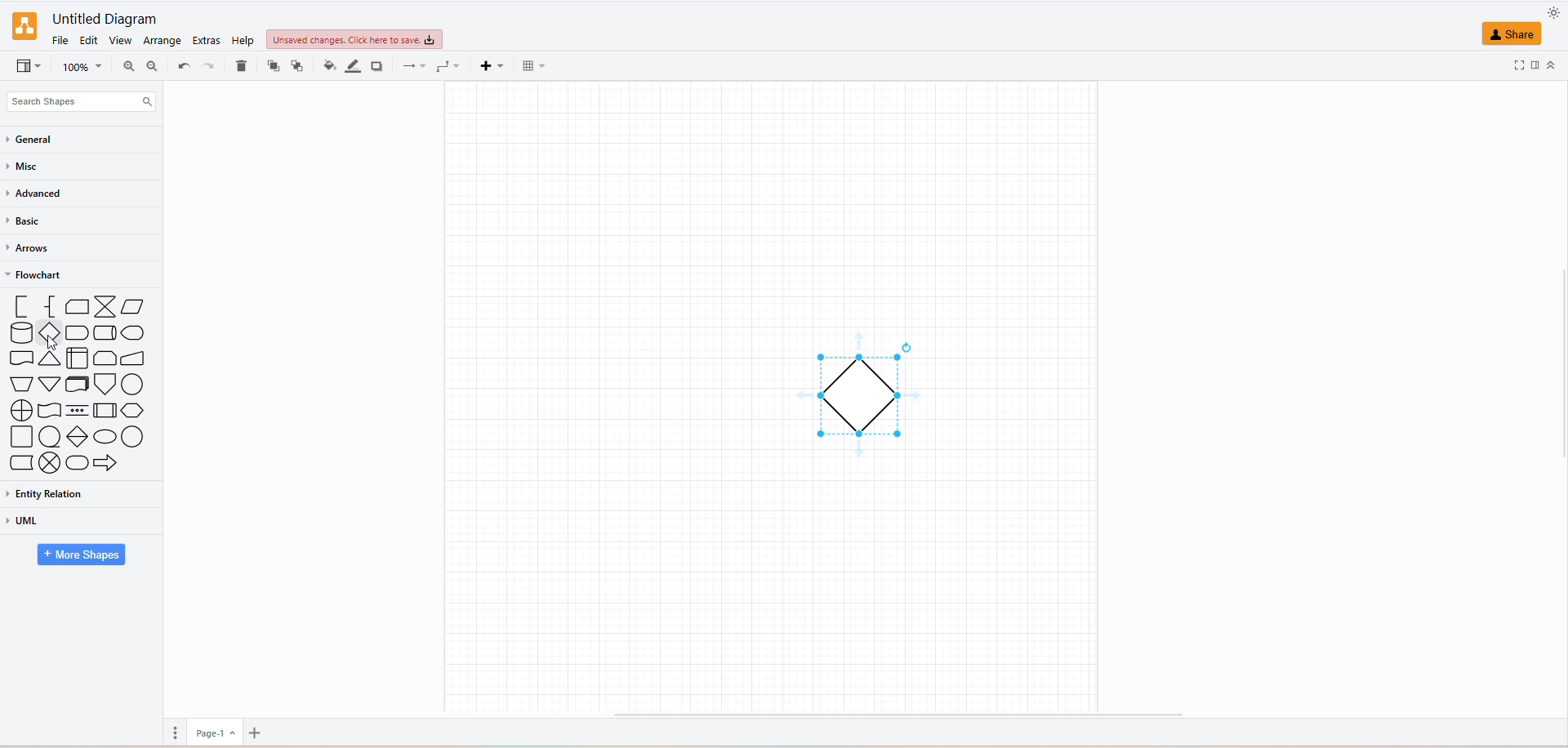 This screenshot has width=1568, height=748. What do you see at coordinates (150, 65) in the screenshot?
I see `ZOOM OUT` at bounding box center [150, 65].